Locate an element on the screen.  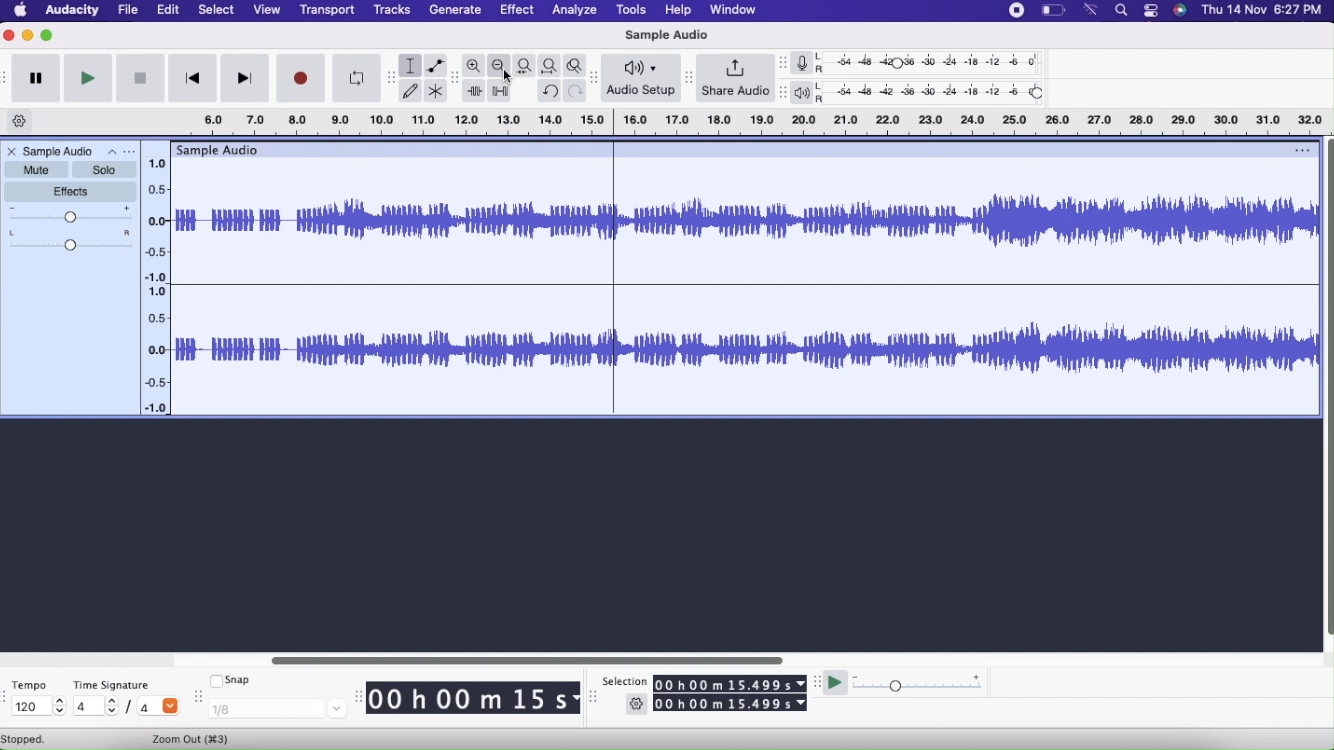
Playback meter is located at coordinates (808, 93).